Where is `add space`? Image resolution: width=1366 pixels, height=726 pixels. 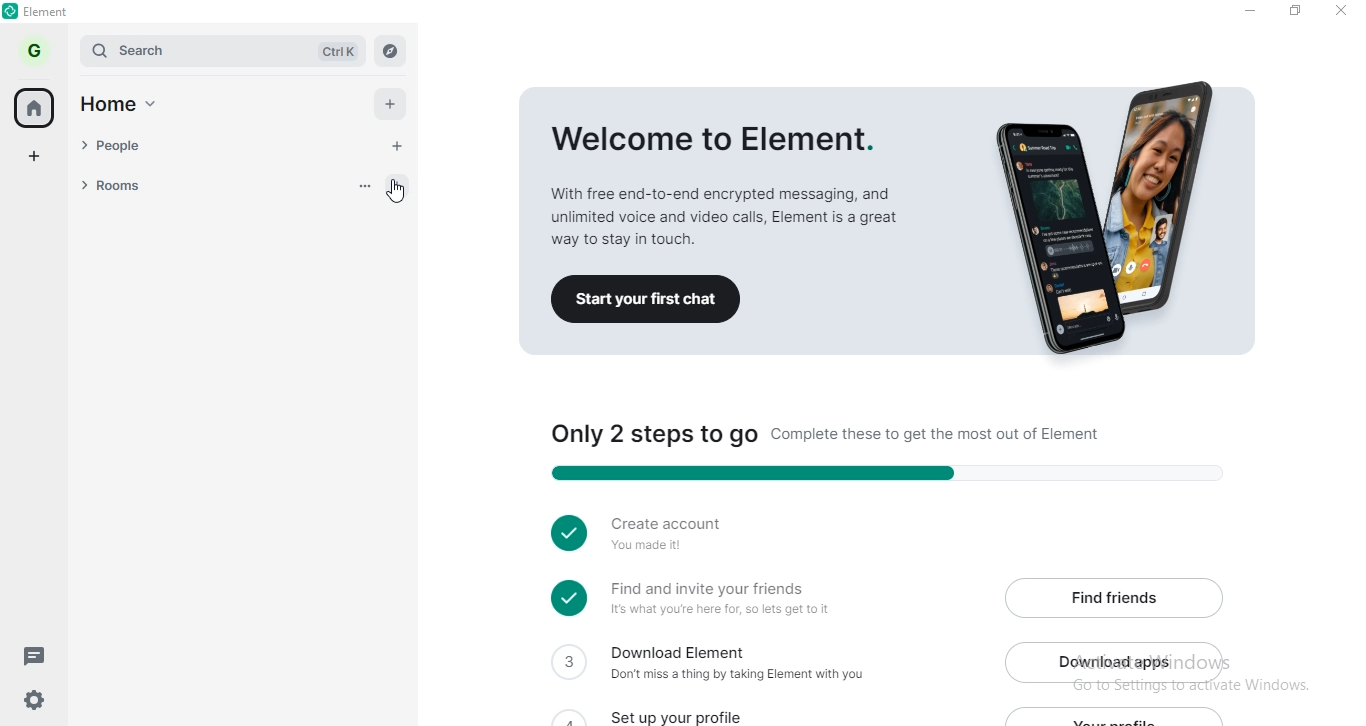
add space is located at coordinates (36, 153).